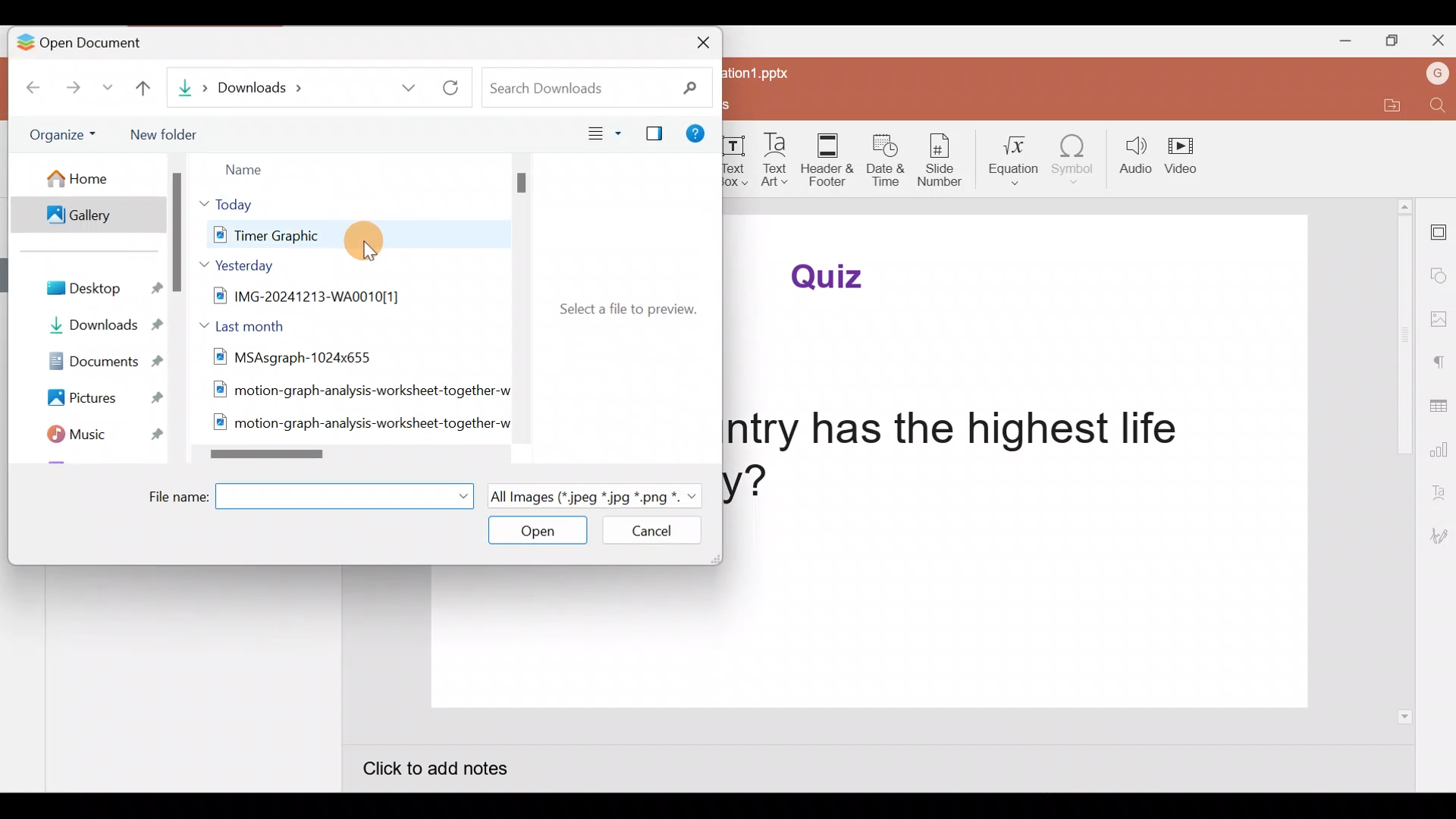 The width and height of the screenshot is (1456, 819). I want to click on Scroll bar, so click(516, 307).